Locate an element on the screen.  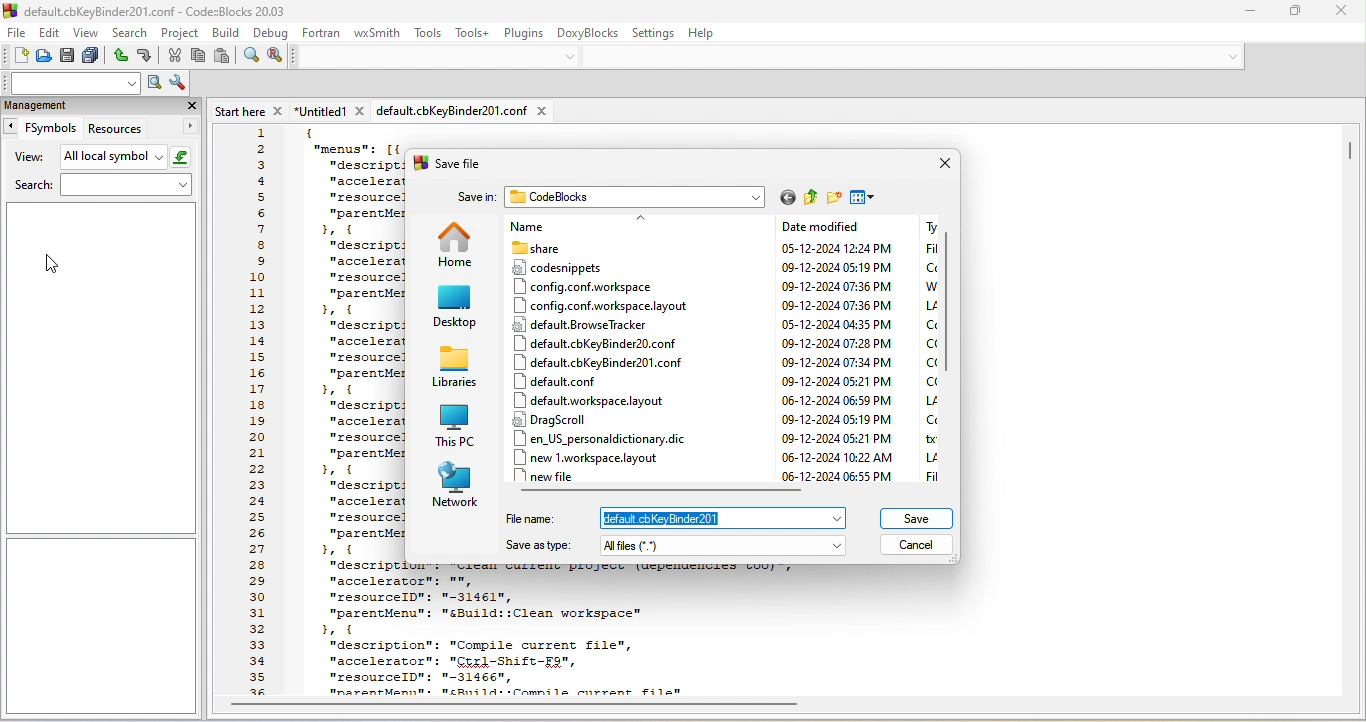
home is located at coordinates (457, 245).